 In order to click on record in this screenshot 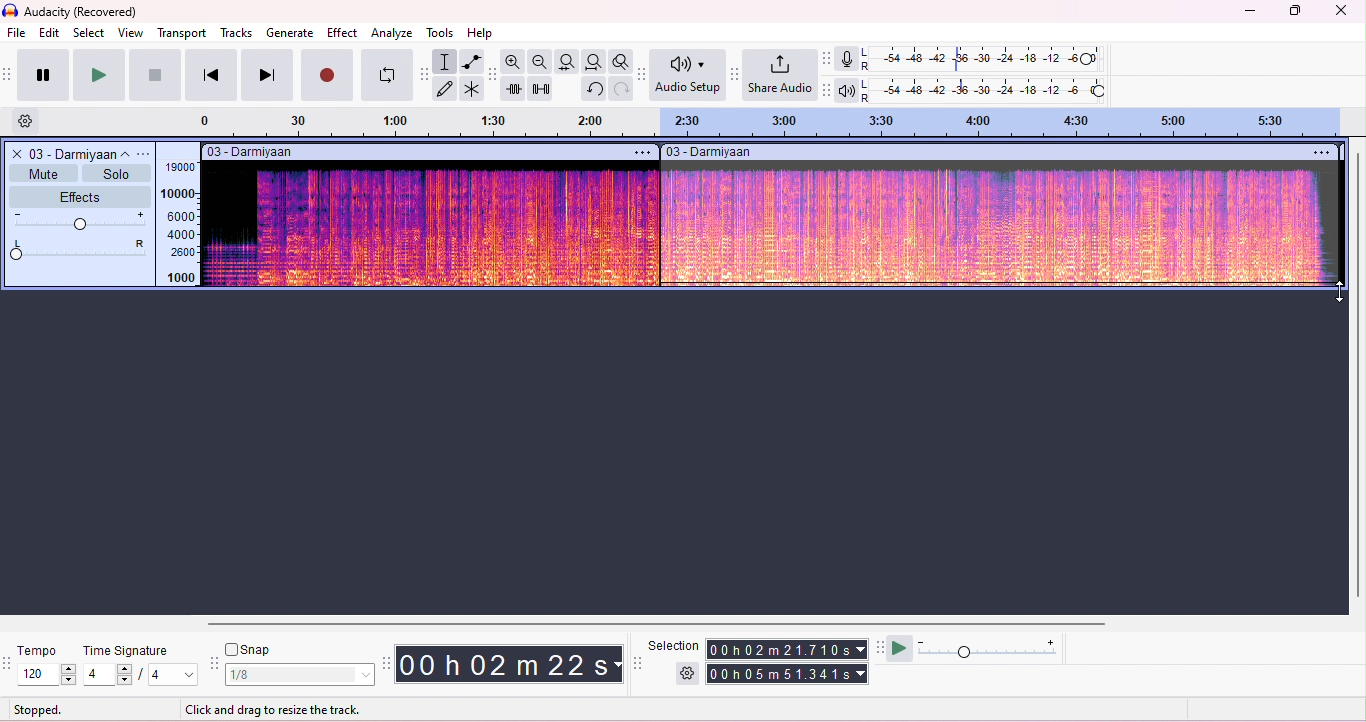, I will do `click(328, 76)`.